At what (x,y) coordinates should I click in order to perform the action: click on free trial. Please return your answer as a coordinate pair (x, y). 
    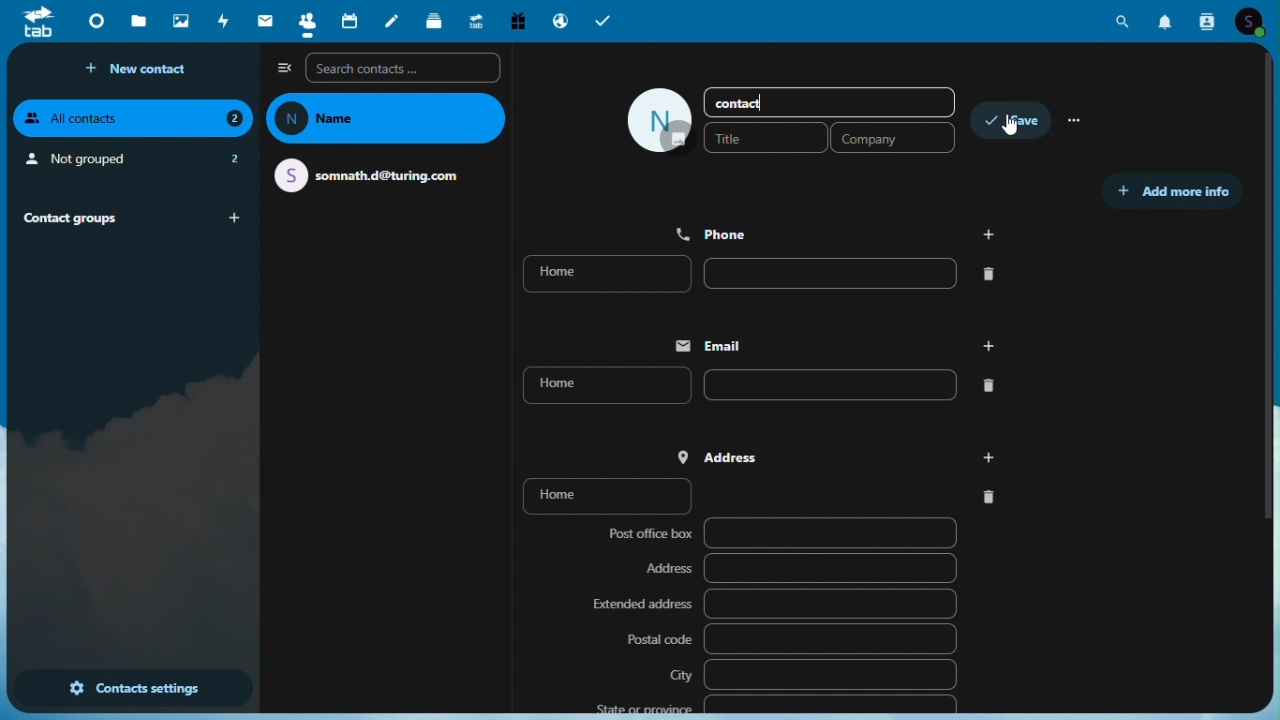
    Looking at the image, I should click on (519, 20).